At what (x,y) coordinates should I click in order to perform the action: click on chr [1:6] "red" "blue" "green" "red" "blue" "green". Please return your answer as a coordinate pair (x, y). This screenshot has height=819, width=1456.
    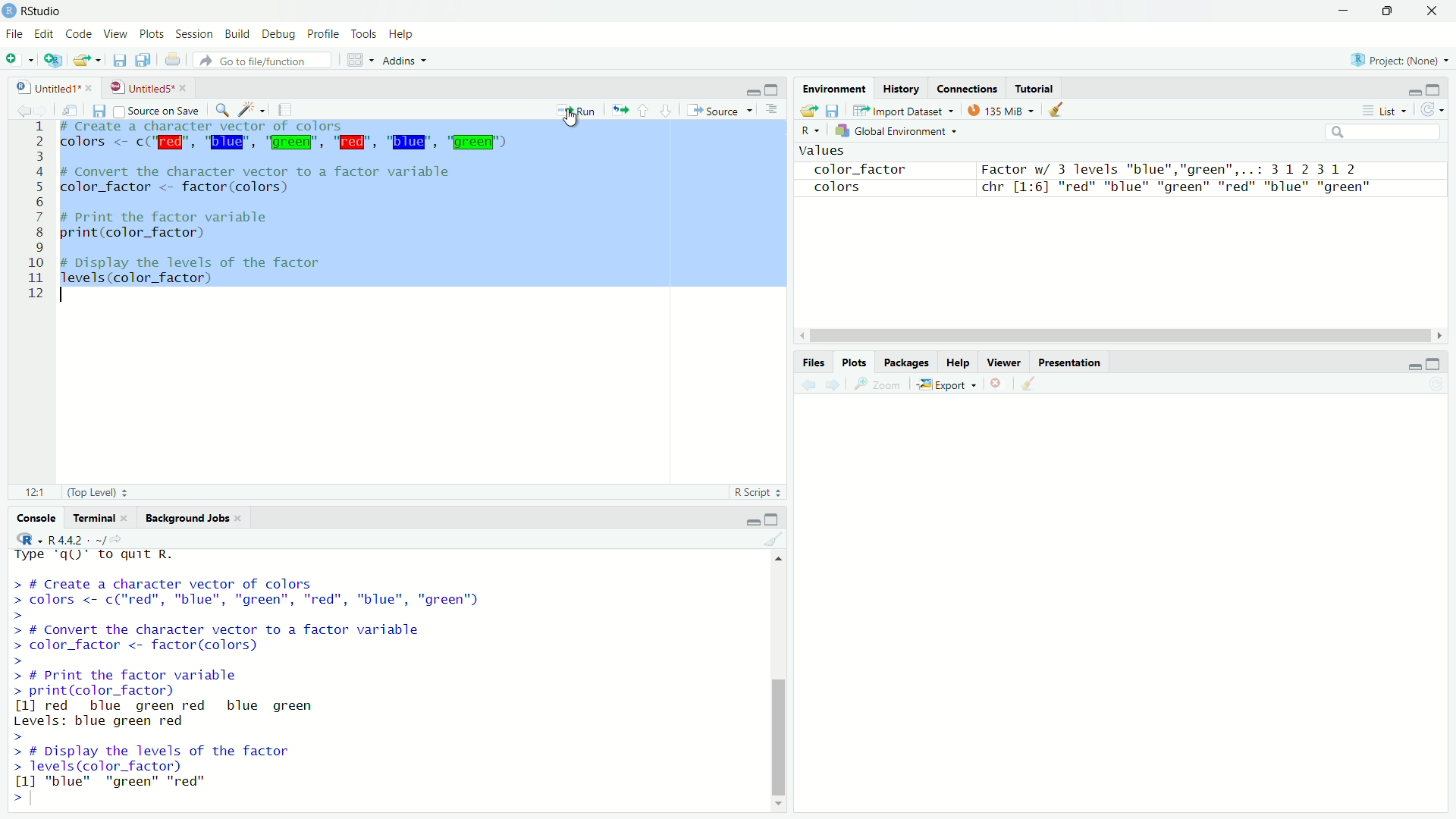
    Looking at the image, I should click on (1186, 187).